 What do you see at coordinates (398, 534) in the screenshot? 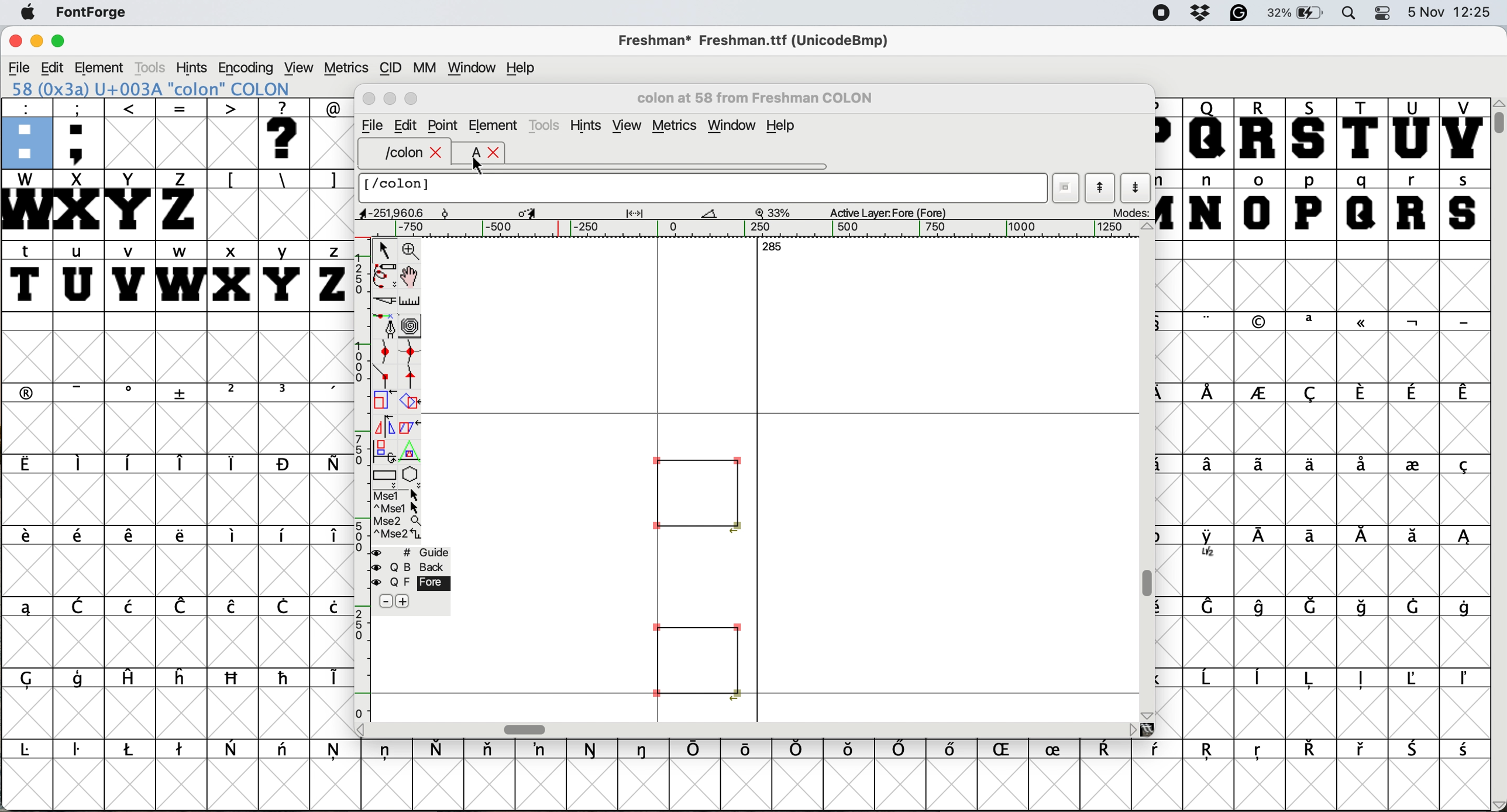
I see `^Mse2` at bounding box center [398, 534].